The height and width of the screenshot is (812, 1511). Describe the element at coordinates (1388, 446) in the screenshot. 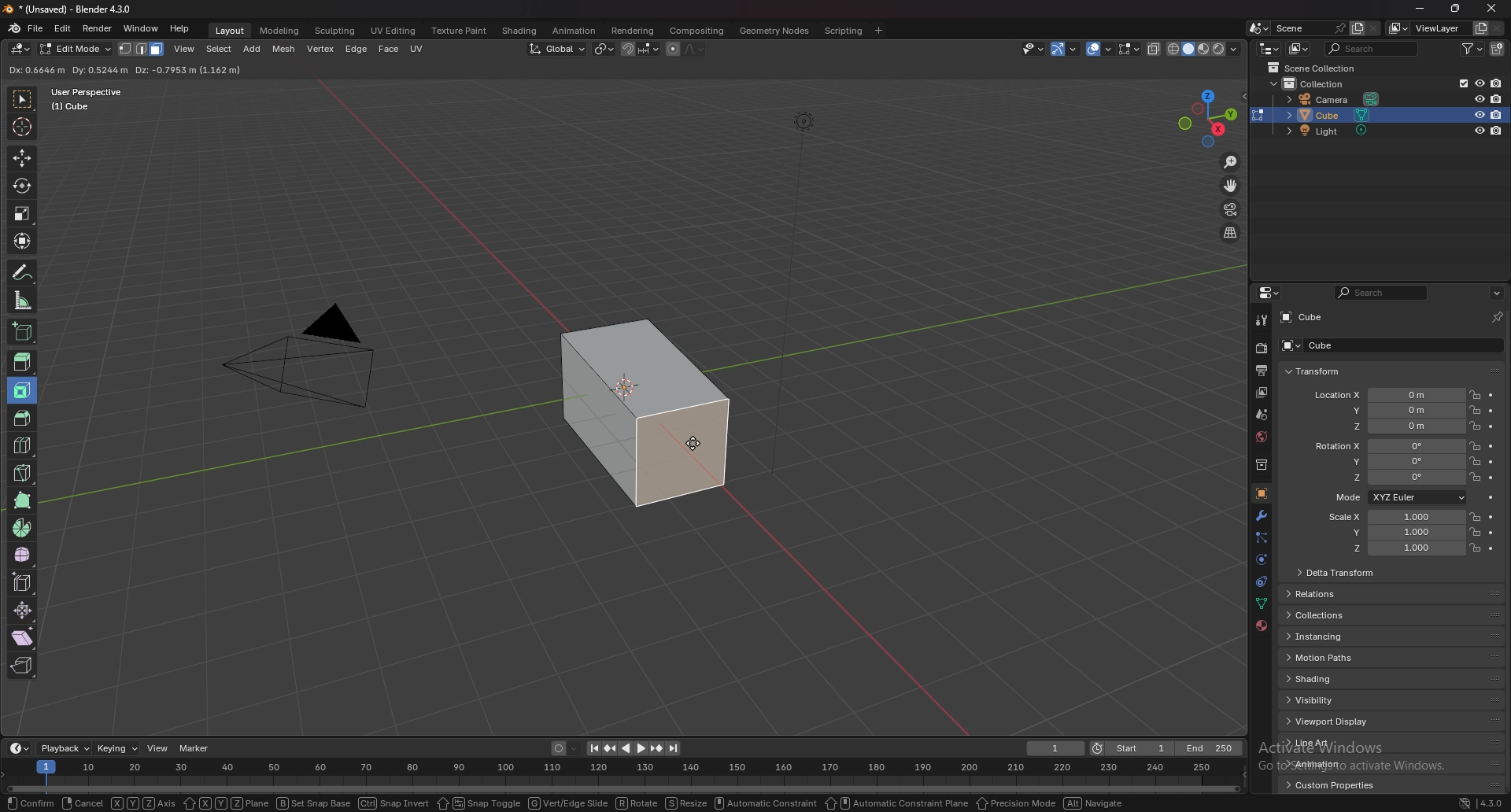

I see `rotation x` at that location.